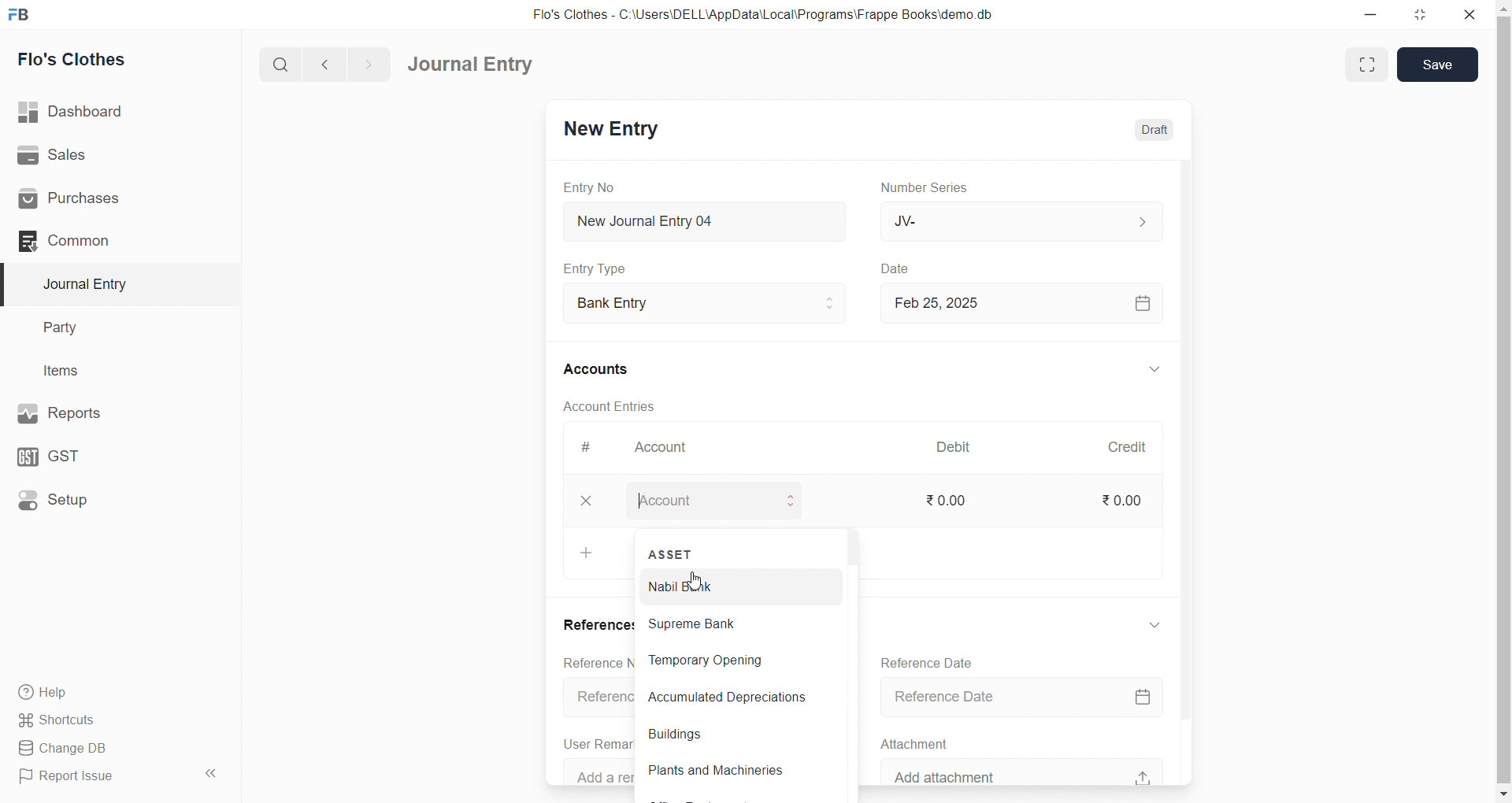 The width and height of the screenshot is (1512, 803). I want to click on cursor, so click(698, 583).